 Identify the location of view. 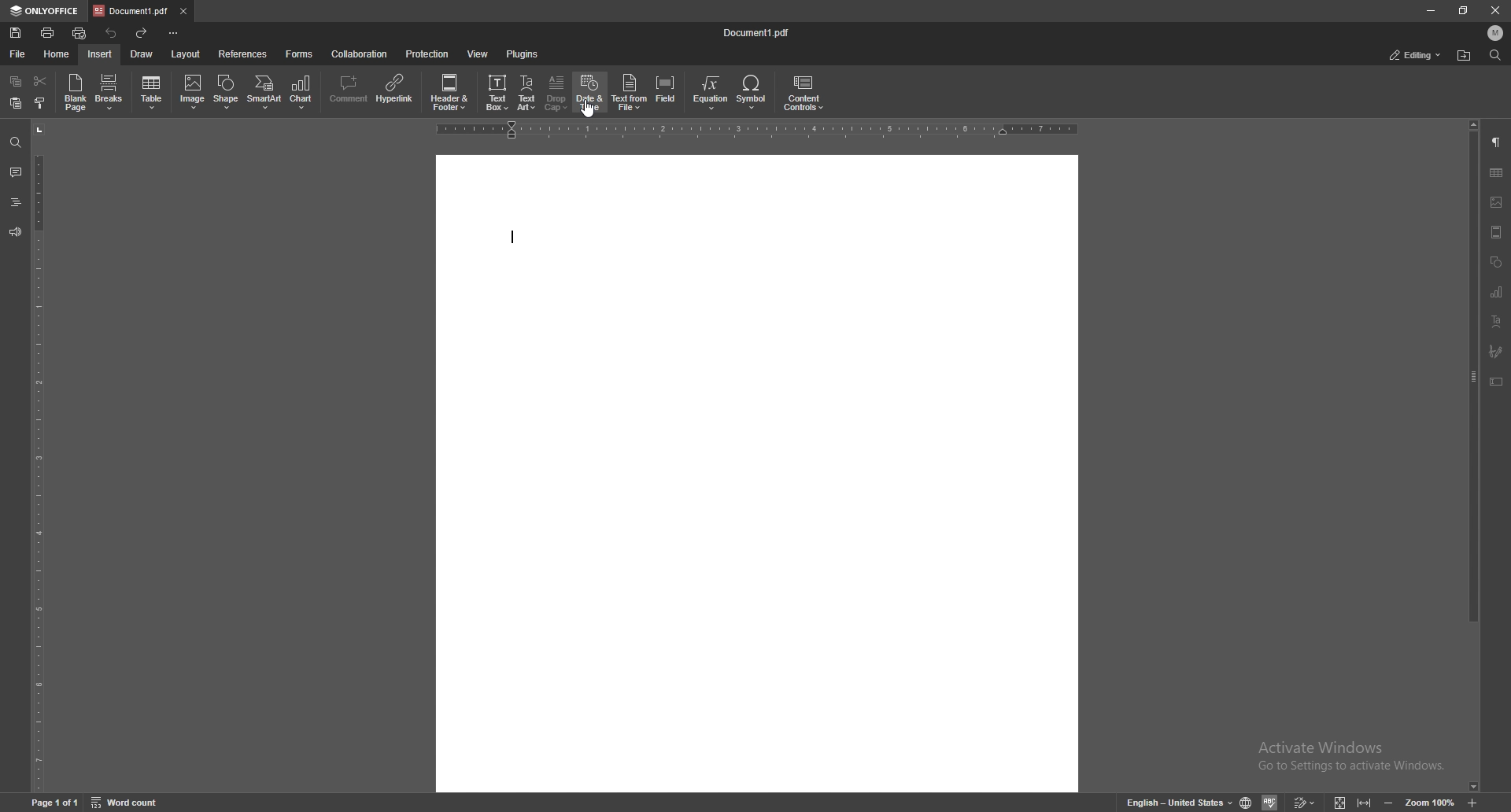
(1496, 232).